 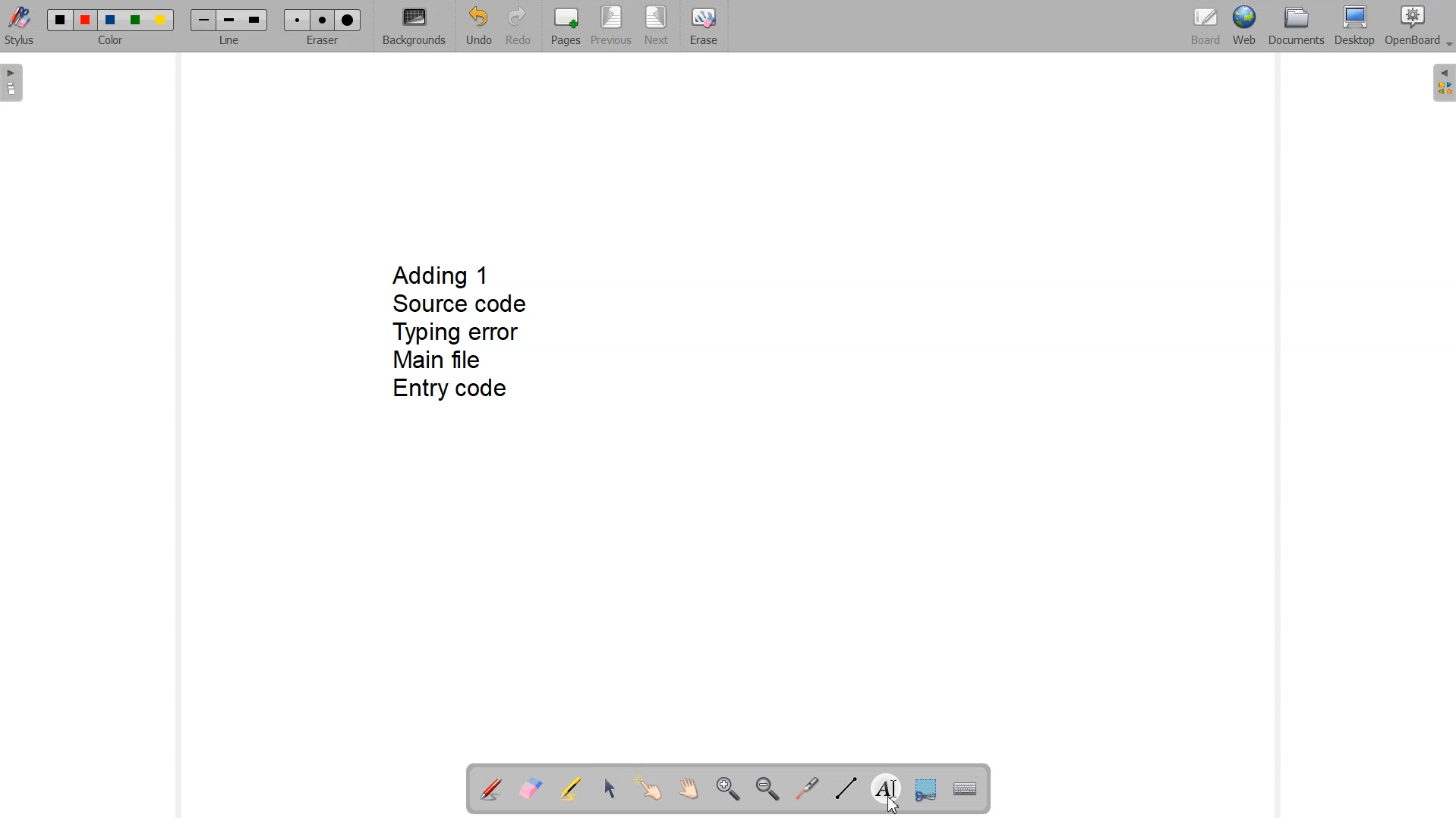 I want to click on OpenBoard, so click(x=1420, y=27).